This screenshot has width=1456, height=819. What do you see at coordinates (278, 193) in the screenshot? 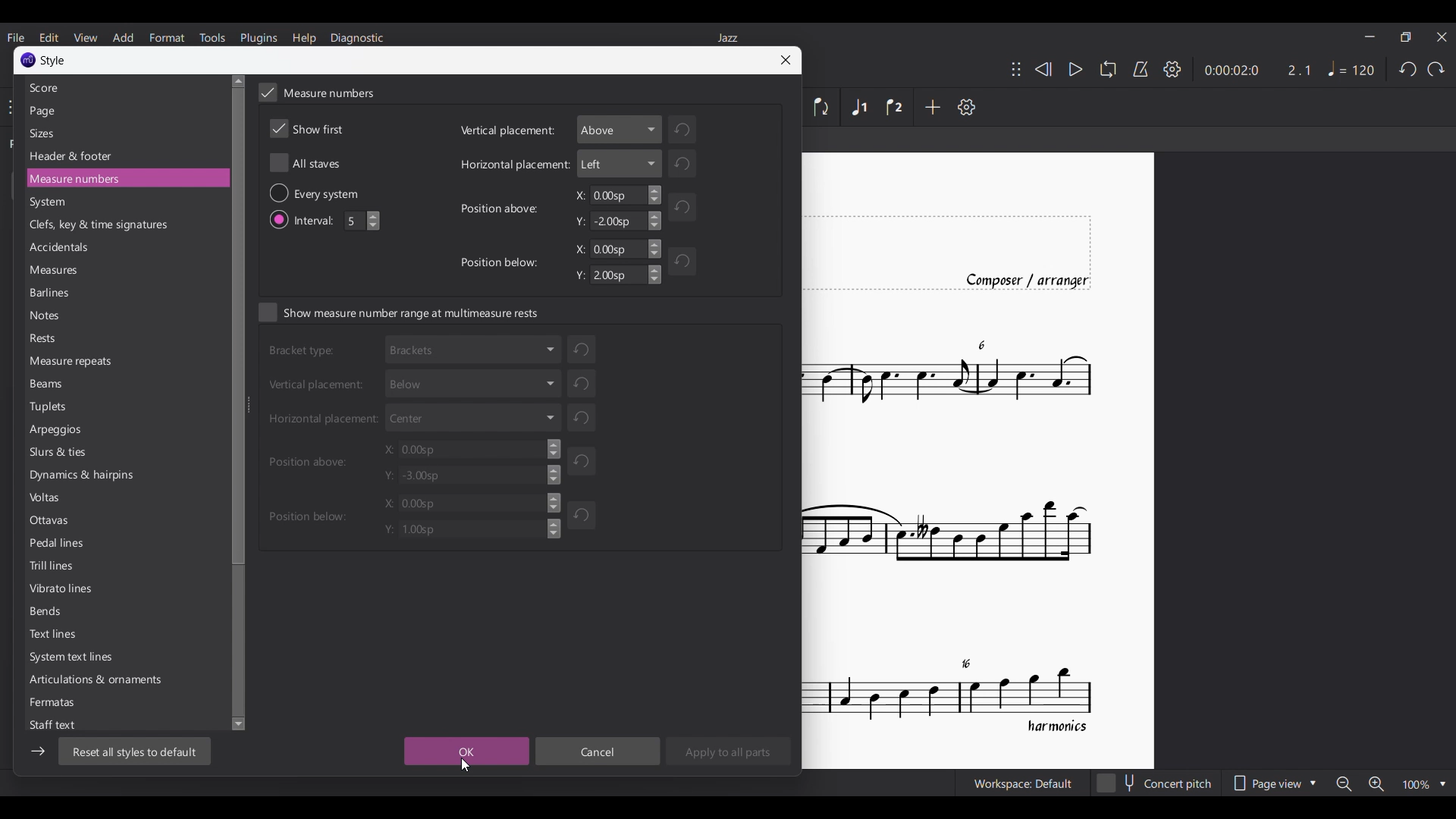
I see `Radio` at bounding box center [278, 193].